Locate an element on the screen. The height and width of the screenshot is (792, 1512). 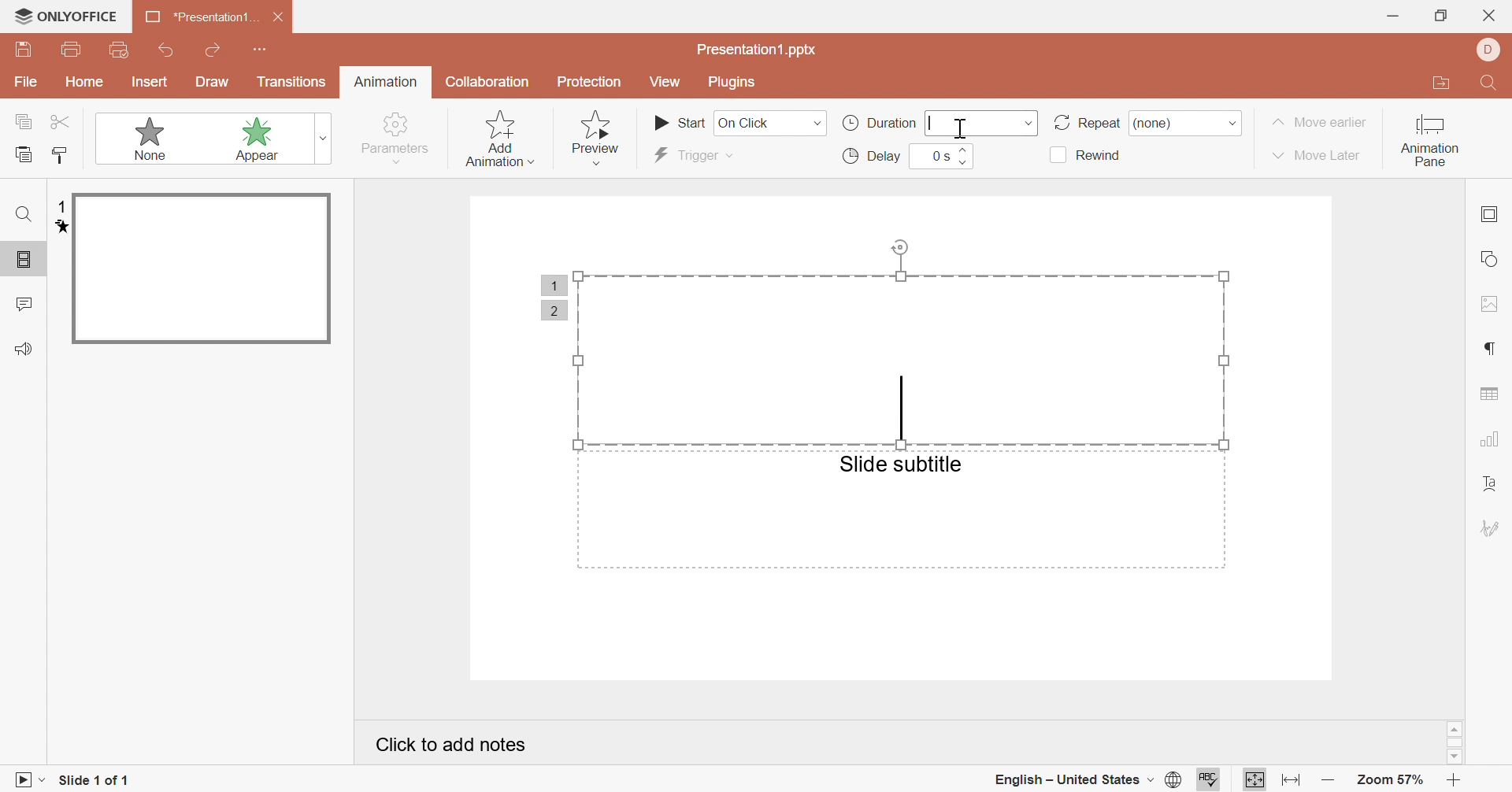
draw is located at coordinates (212, 82).